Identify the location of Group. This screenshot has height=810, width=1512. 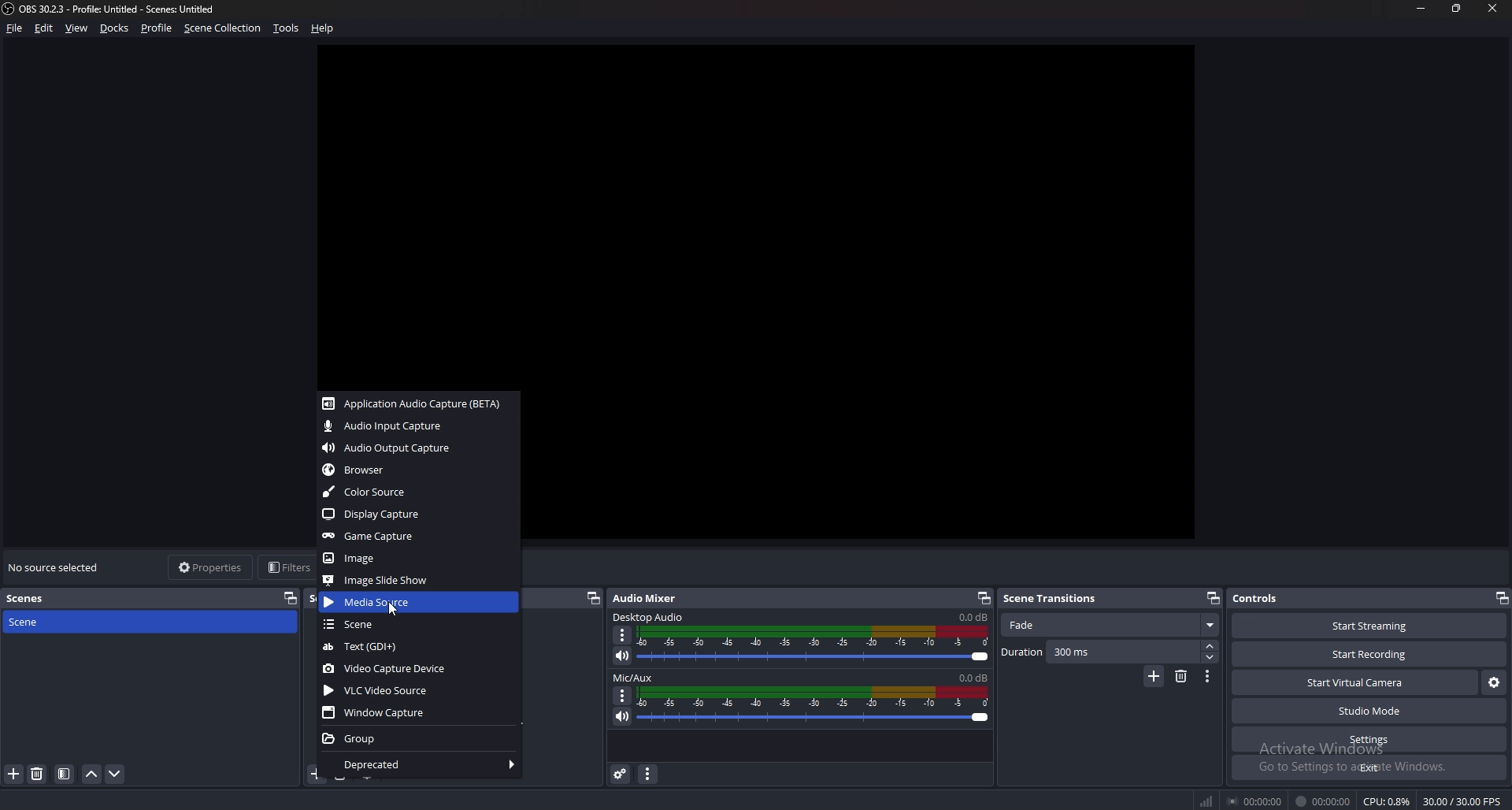
(420, 738).